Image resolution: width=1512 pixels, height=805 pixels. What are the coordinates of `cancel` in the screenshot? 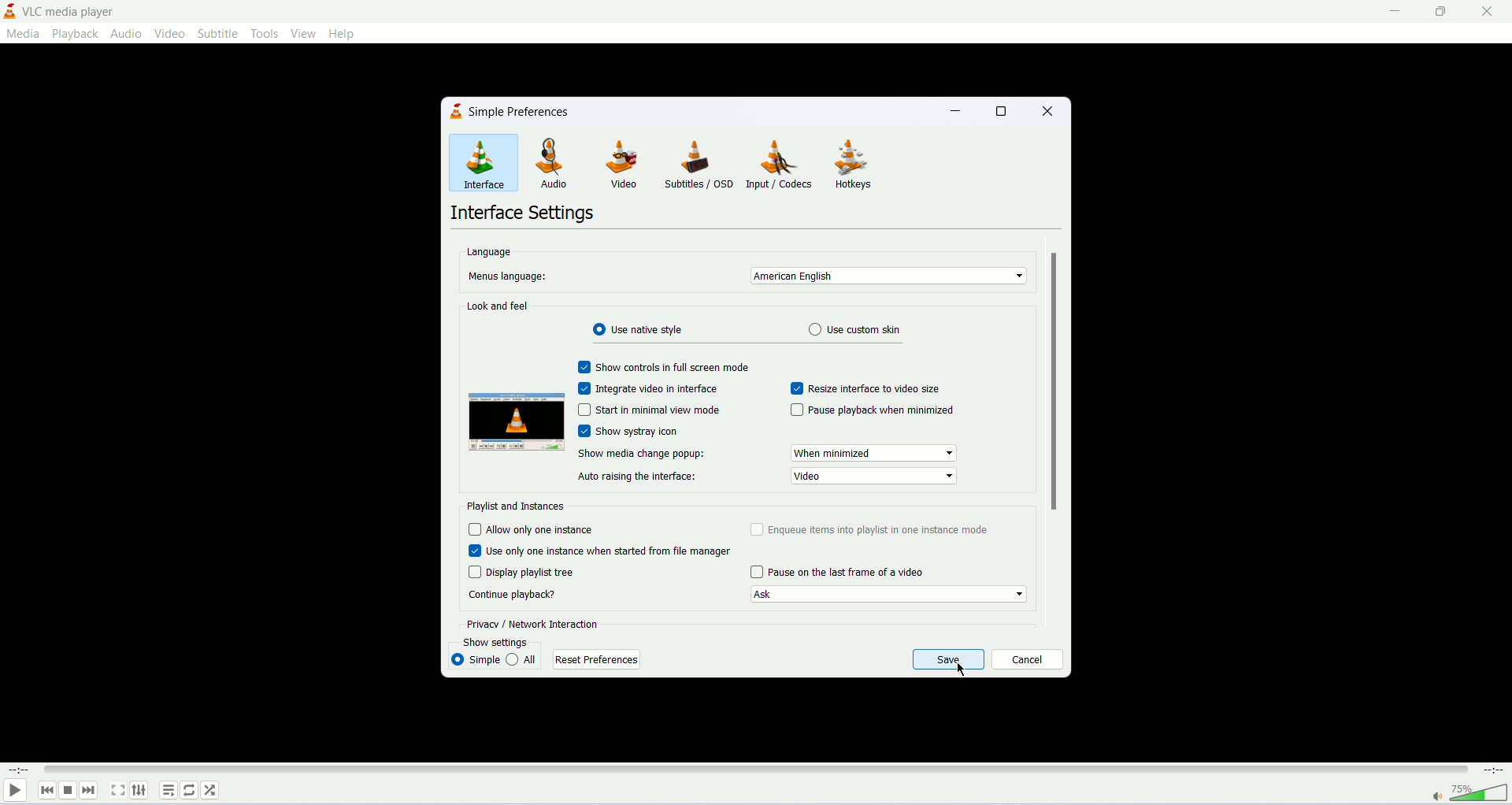 It's located at (1027, 660).